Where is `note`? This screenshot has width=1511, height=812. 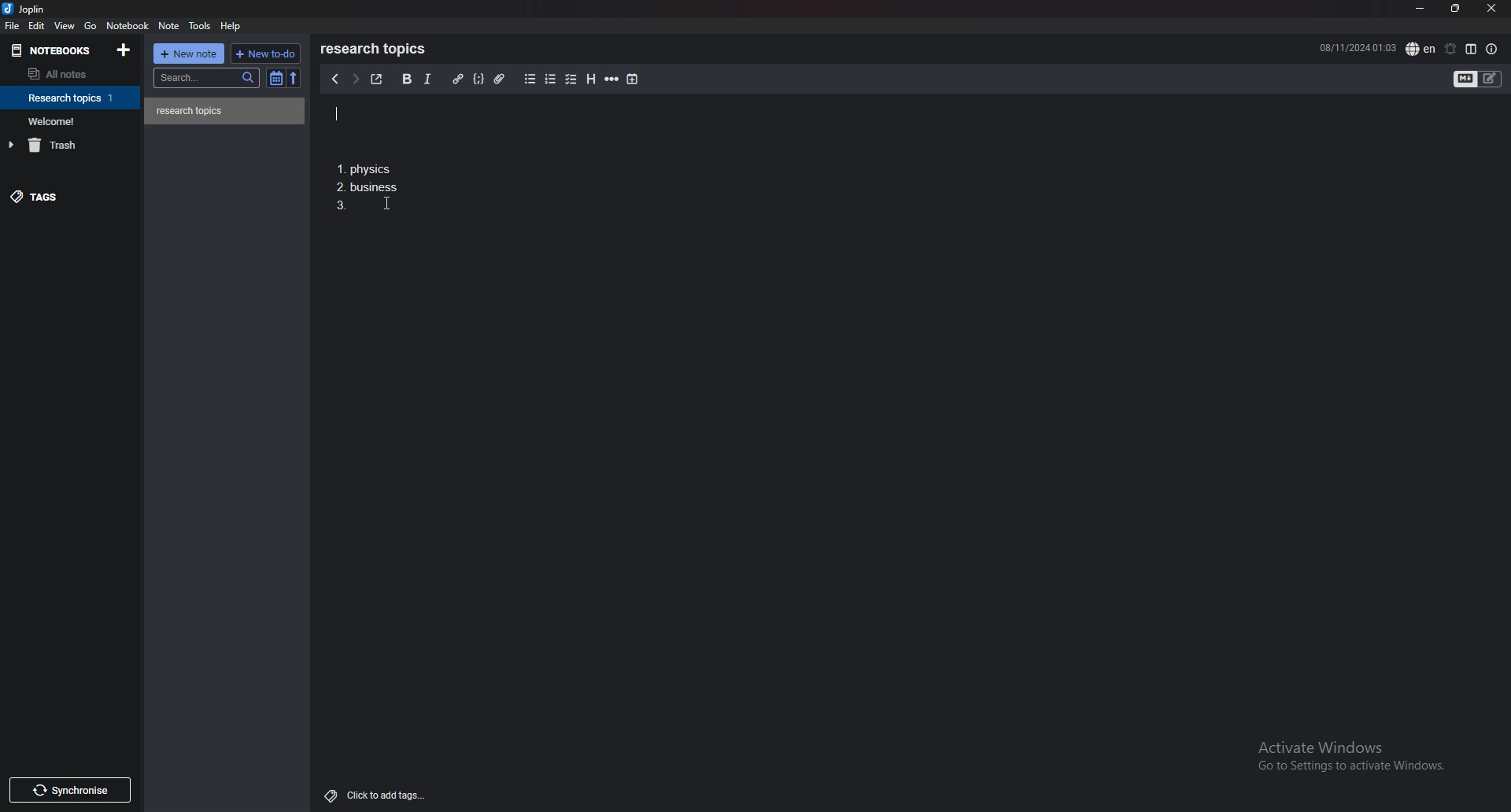 note is located at coordinates (225, 111).